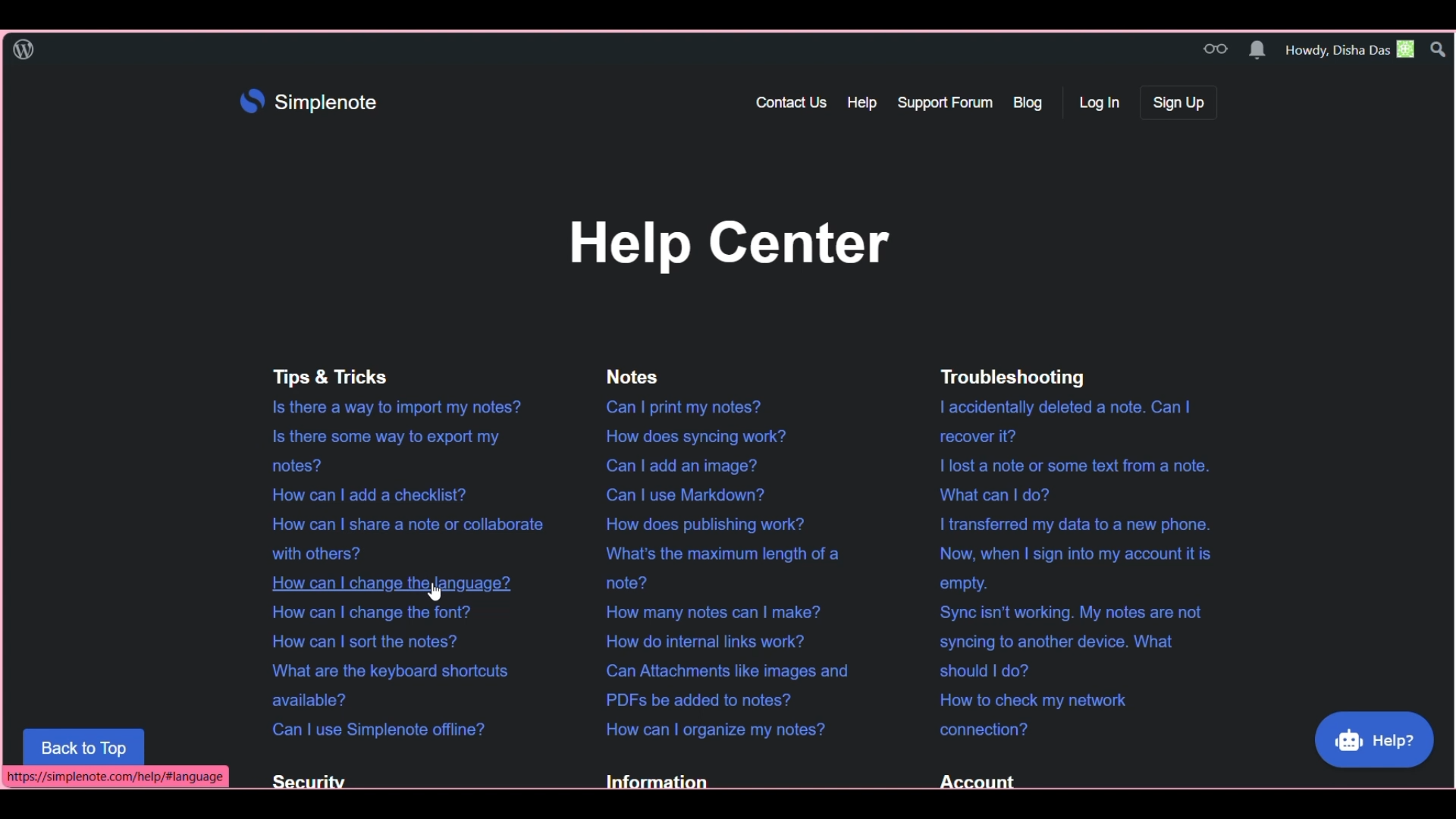 This screenshot has height=819, width=1456. What do you see at coordinates (717, 569) in the screenshot?
I see `What's the maximum length of a note?` at bounding box center [717, 569].